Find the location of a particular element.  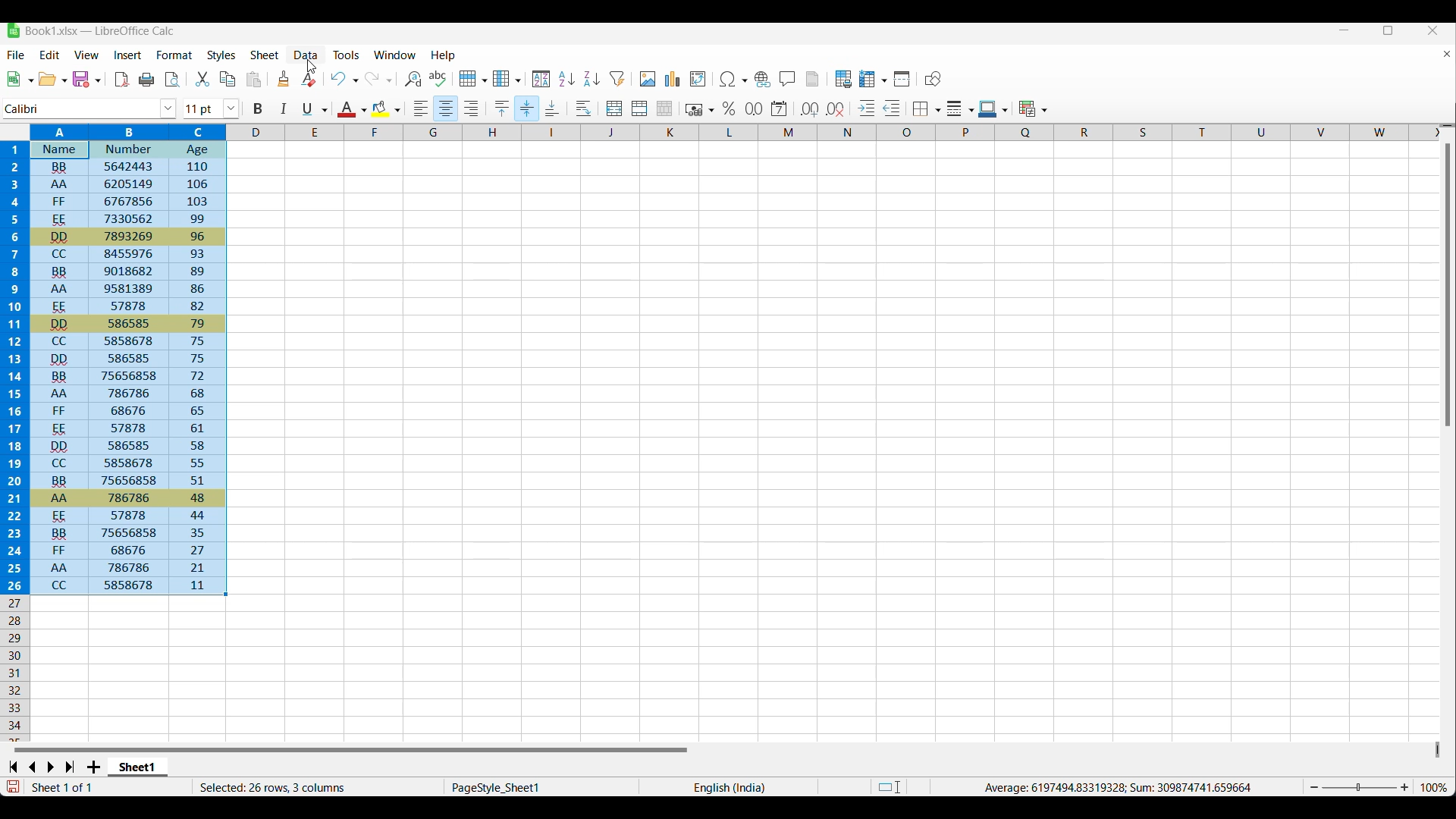

Insert hyperlink is located at coordinates (763, 80).